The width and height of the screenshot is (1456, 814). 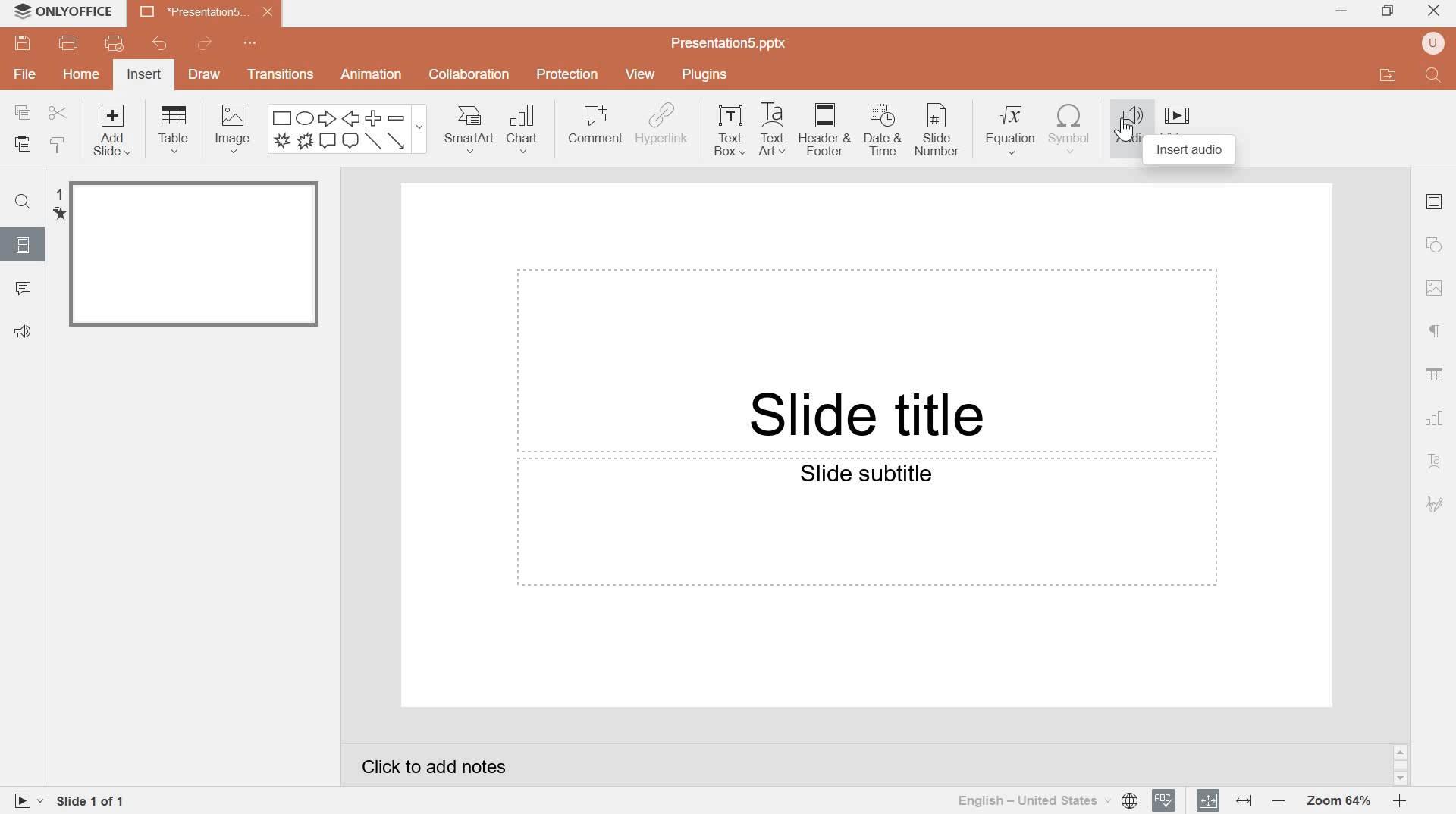 What do you see at coordinates (1129, 124) in the screenshot?
I see `Audio` at bounding box center [1129, 124].